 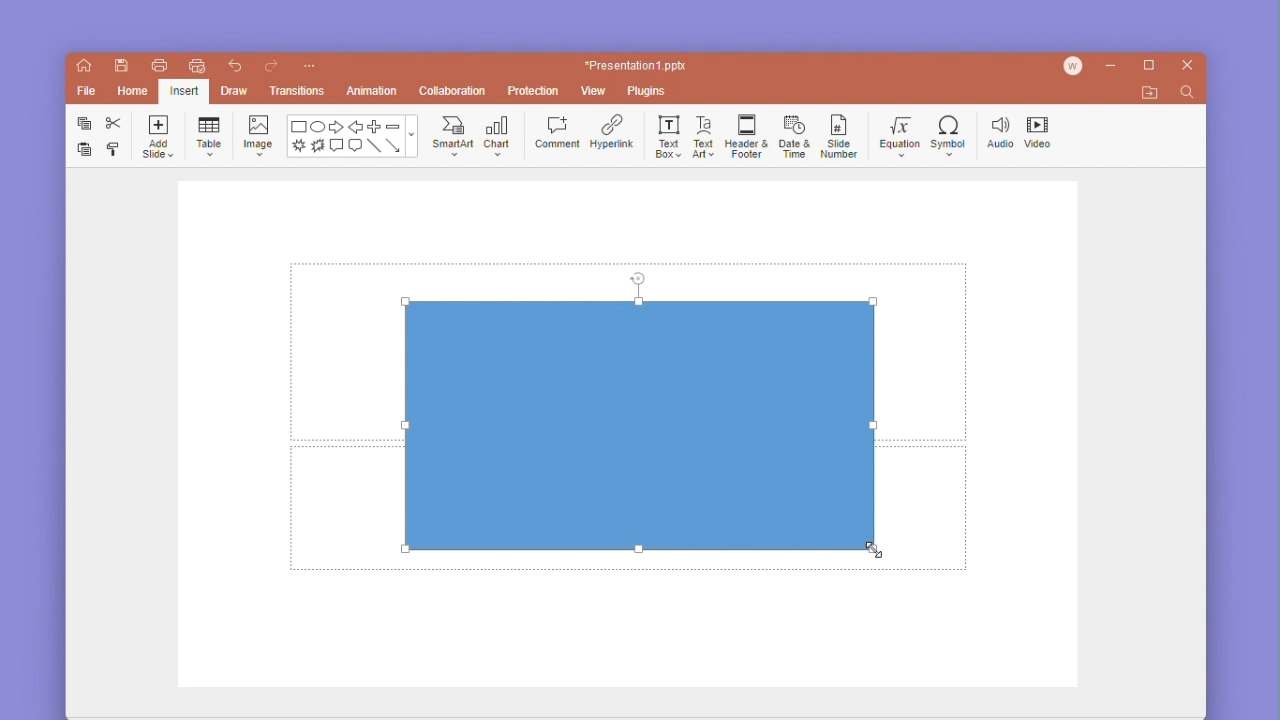 I want to click on arrow line, so click(x=395, y=147).